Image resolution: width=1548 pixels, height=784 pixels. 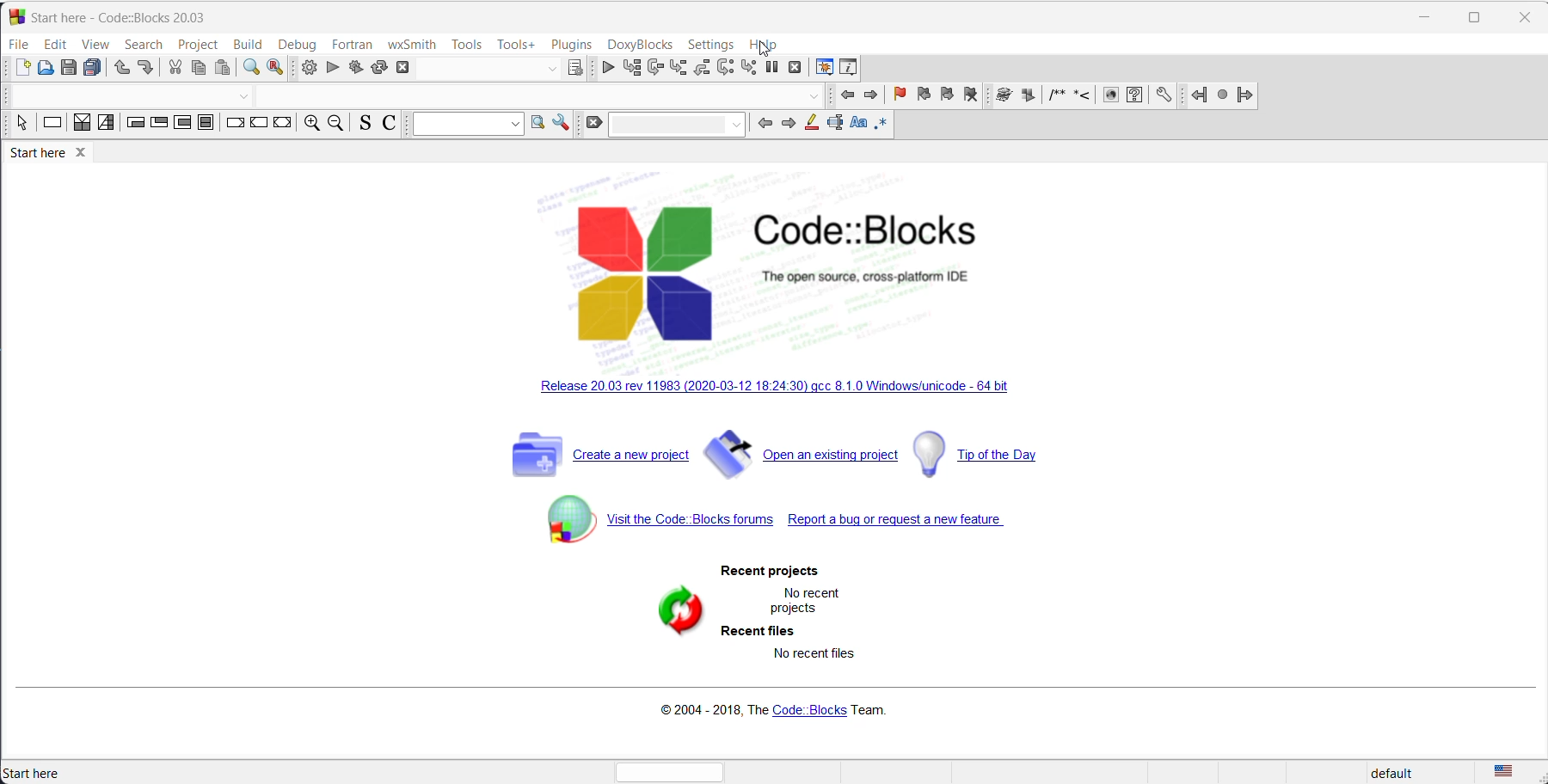 What do you see at coordinates (311, 125) in the screenshot?
I see `zoom in` at bounding box center [311, 125].